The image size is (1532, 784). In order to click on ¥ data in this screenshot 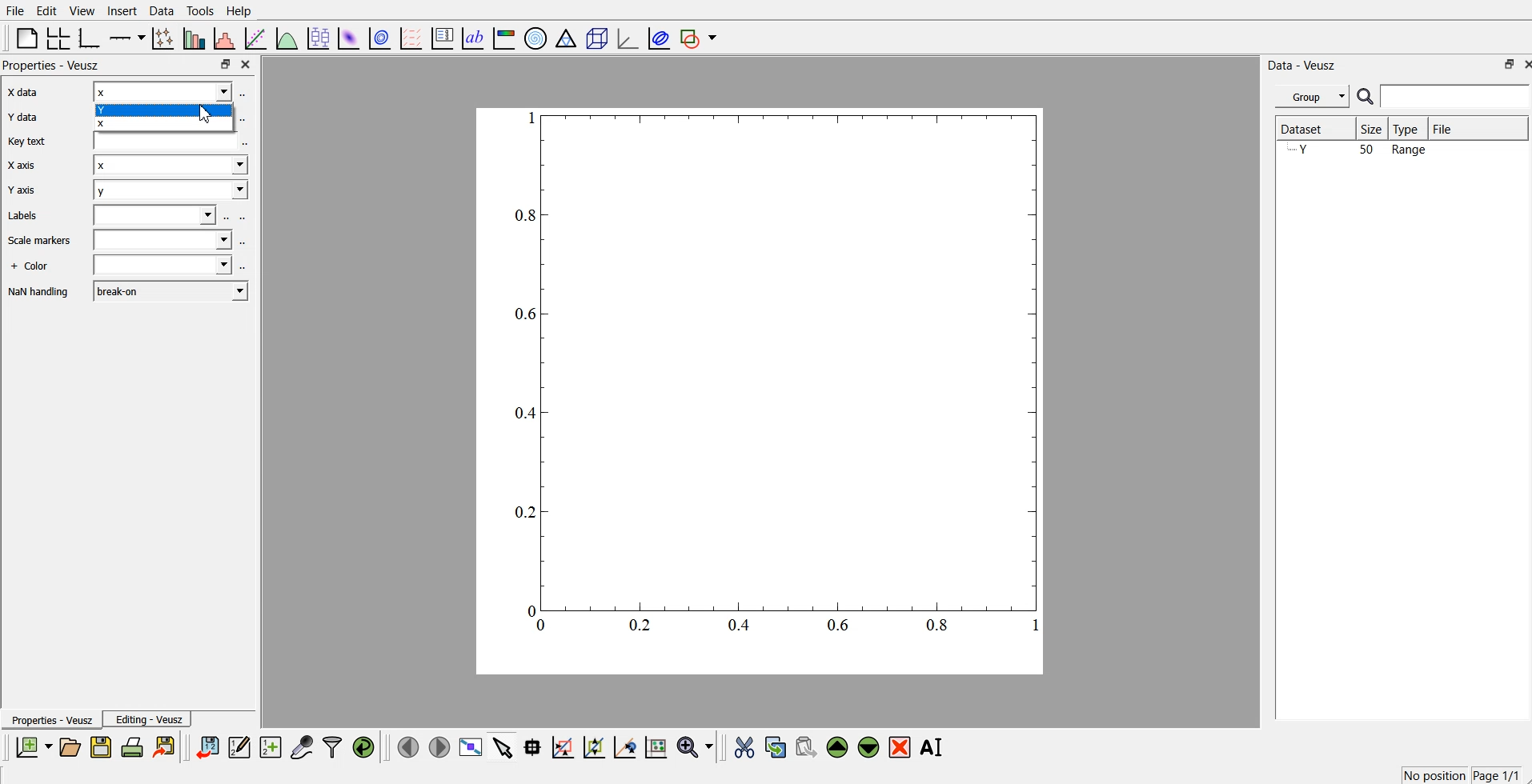, I will do `click(35, 117)`.